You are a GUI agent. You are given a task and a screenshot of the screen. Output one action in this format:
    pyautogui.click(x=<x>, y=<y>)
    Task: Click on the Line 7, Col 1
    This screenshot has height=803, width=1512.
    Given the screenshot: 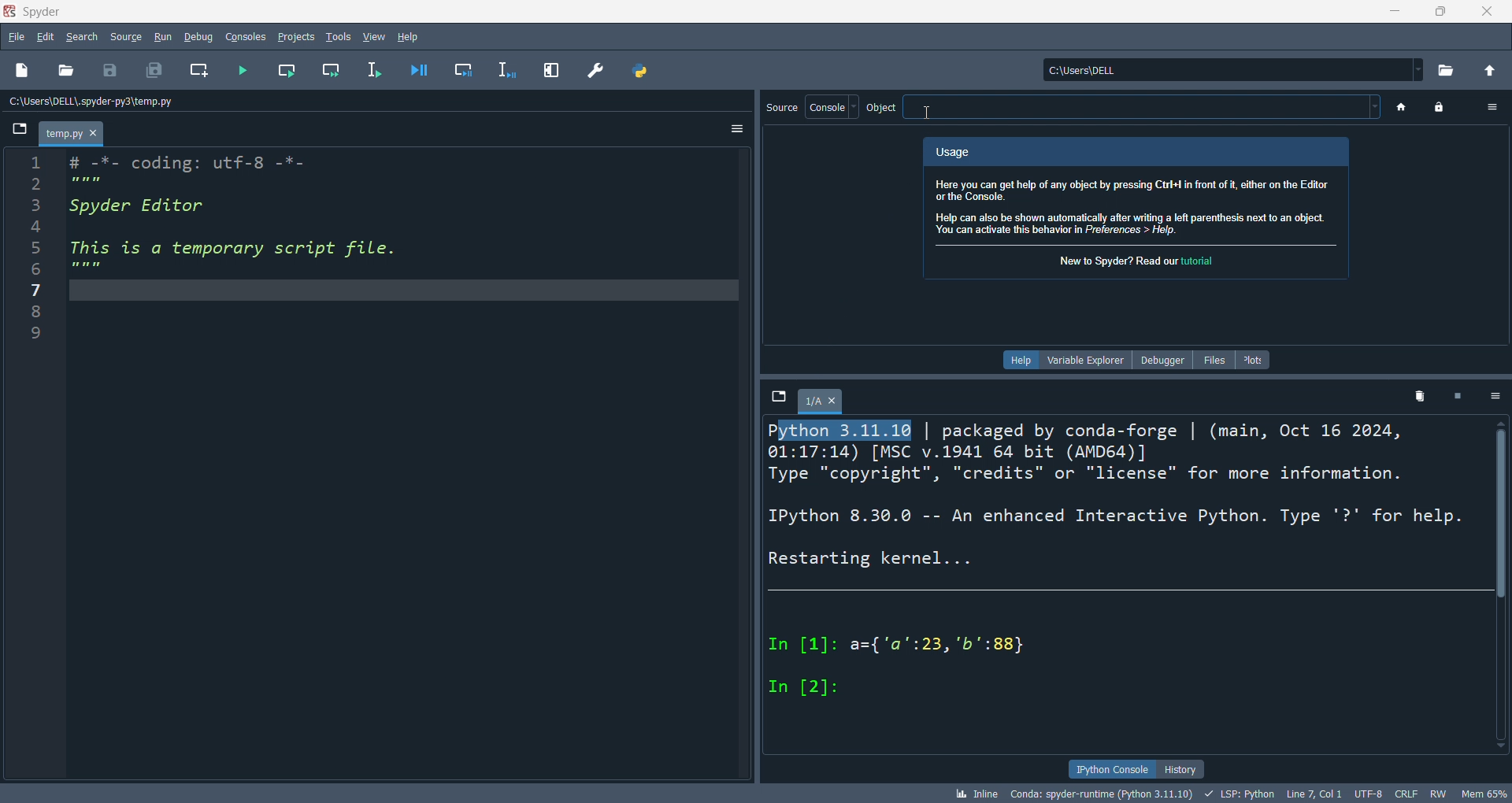 What is the action you would take?
    pyautogui.click(x=1314, y=793)
    